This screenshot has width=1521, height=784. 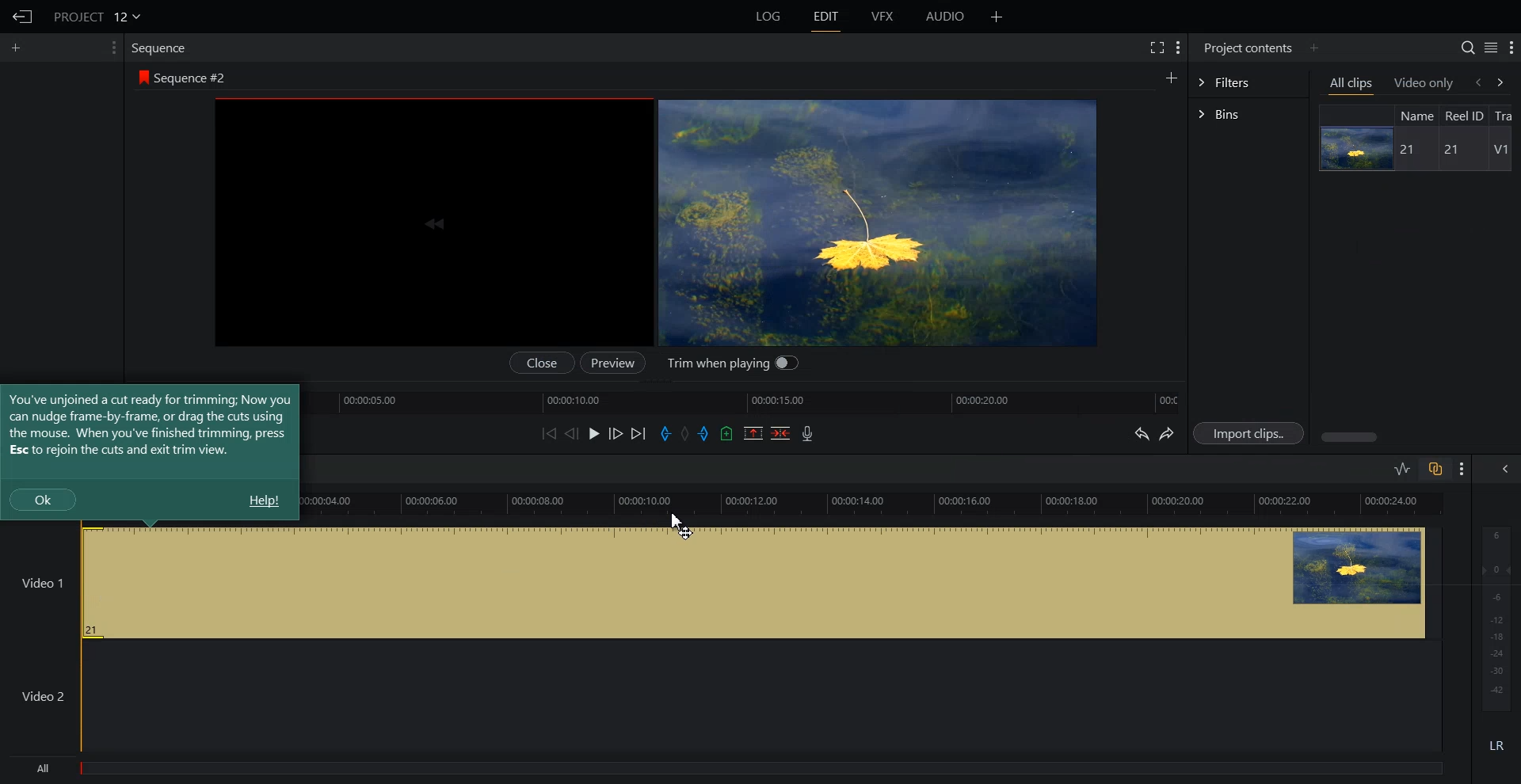 I want to click on forward, so click(x=1507, y=82).